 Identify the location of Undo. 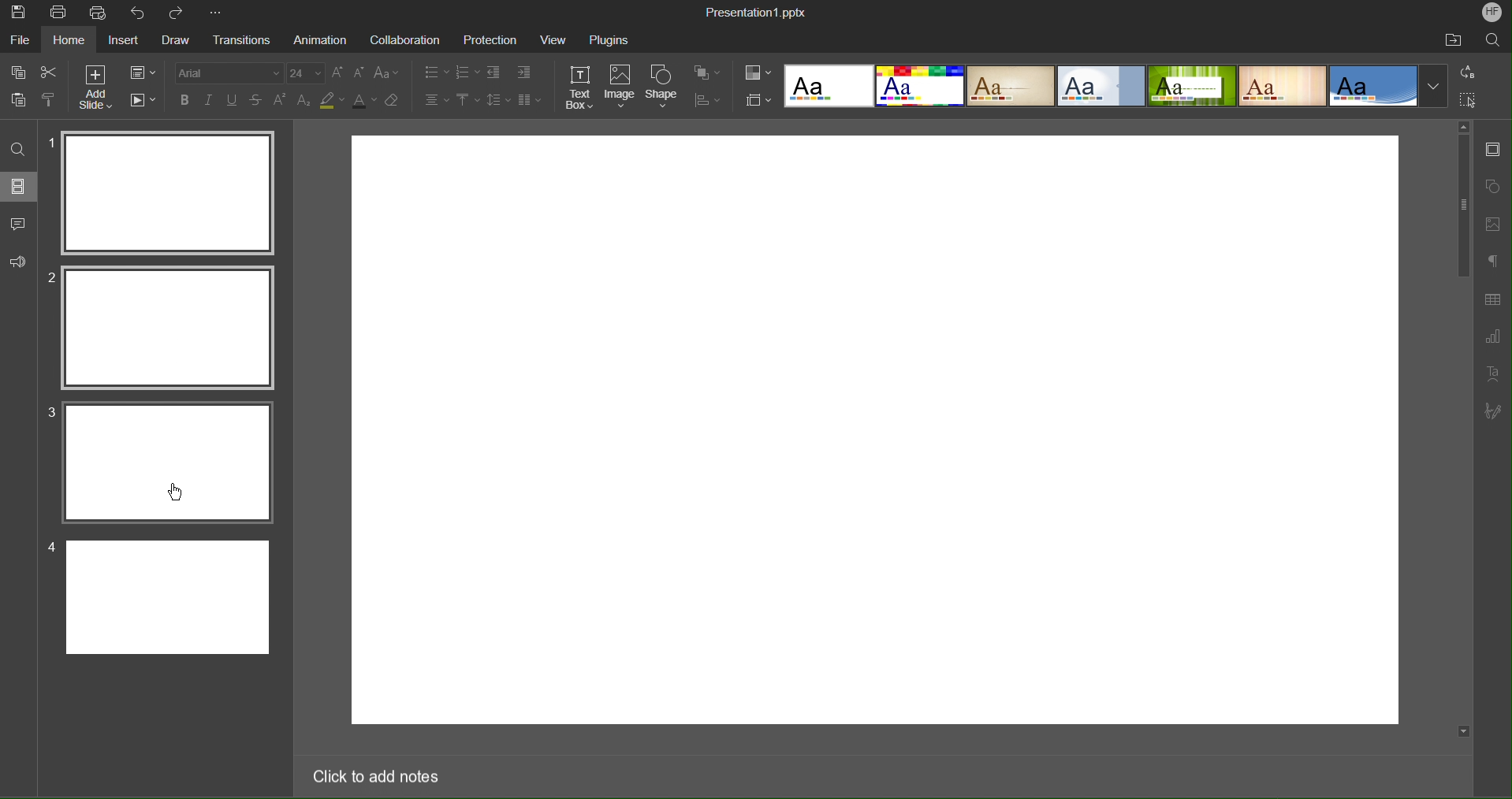
(138, 13).